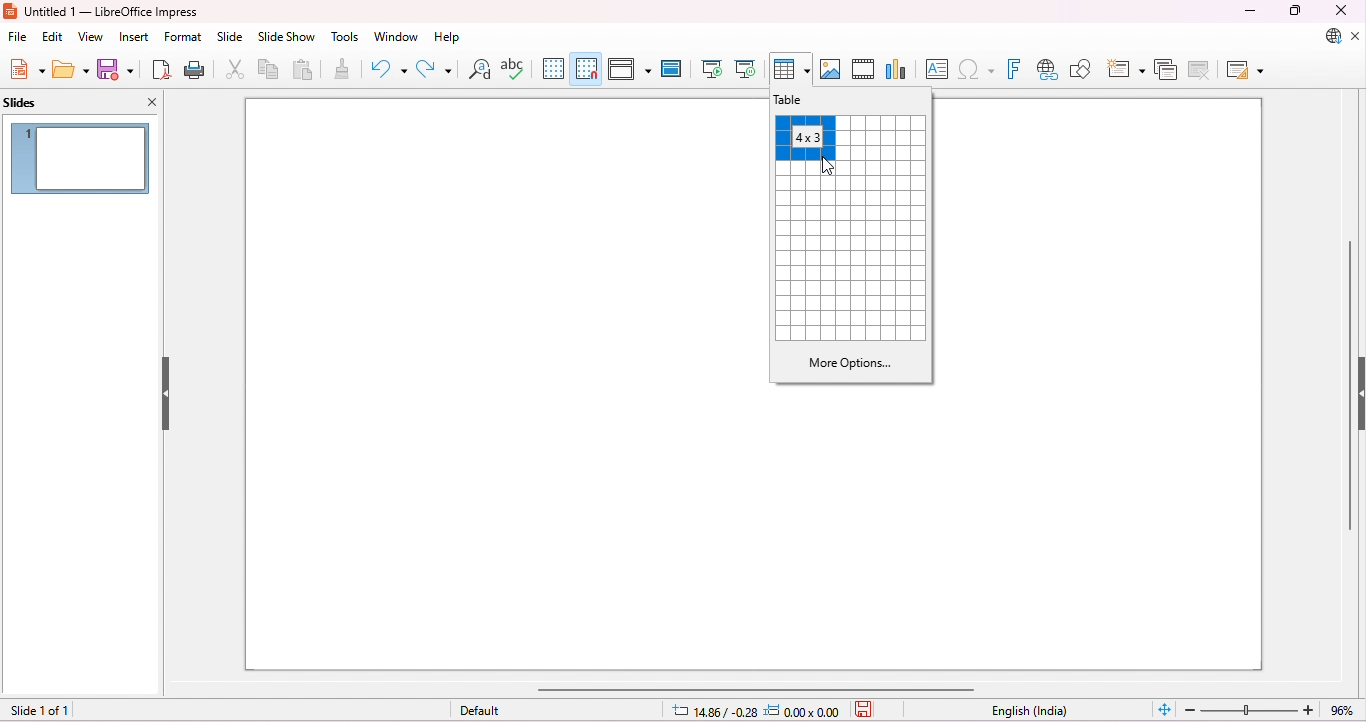 Image resolution: width=1366 pixels, height=722 pixels. Describe the element at coordinates (713, 69) in the screenshot. I see `start from first slide` at that location.